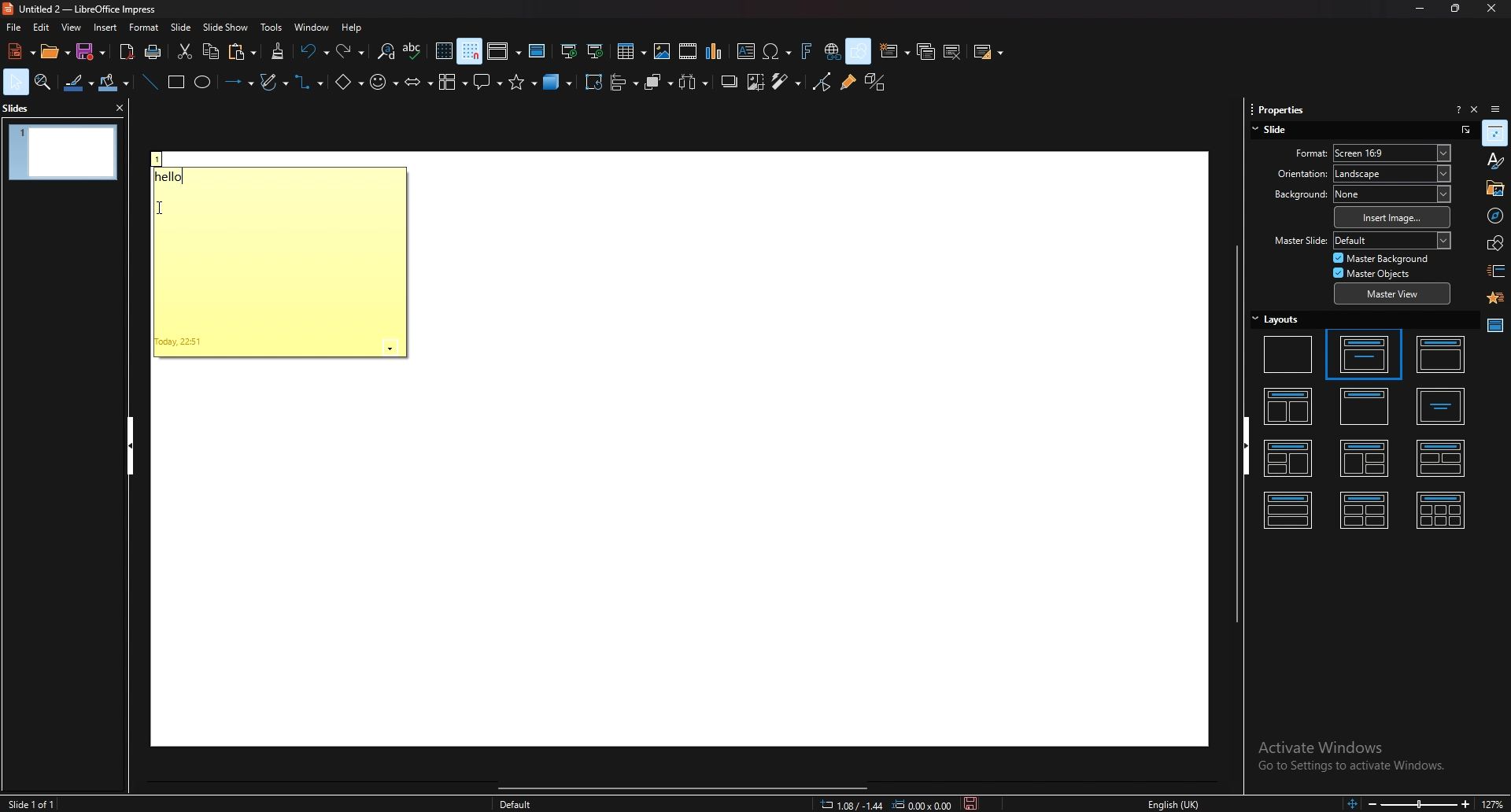  What do you see at coordinates (852, 804) in the screenshot?
I see `cursor location 1.08x-1.44` at bounding box center [852, 804].